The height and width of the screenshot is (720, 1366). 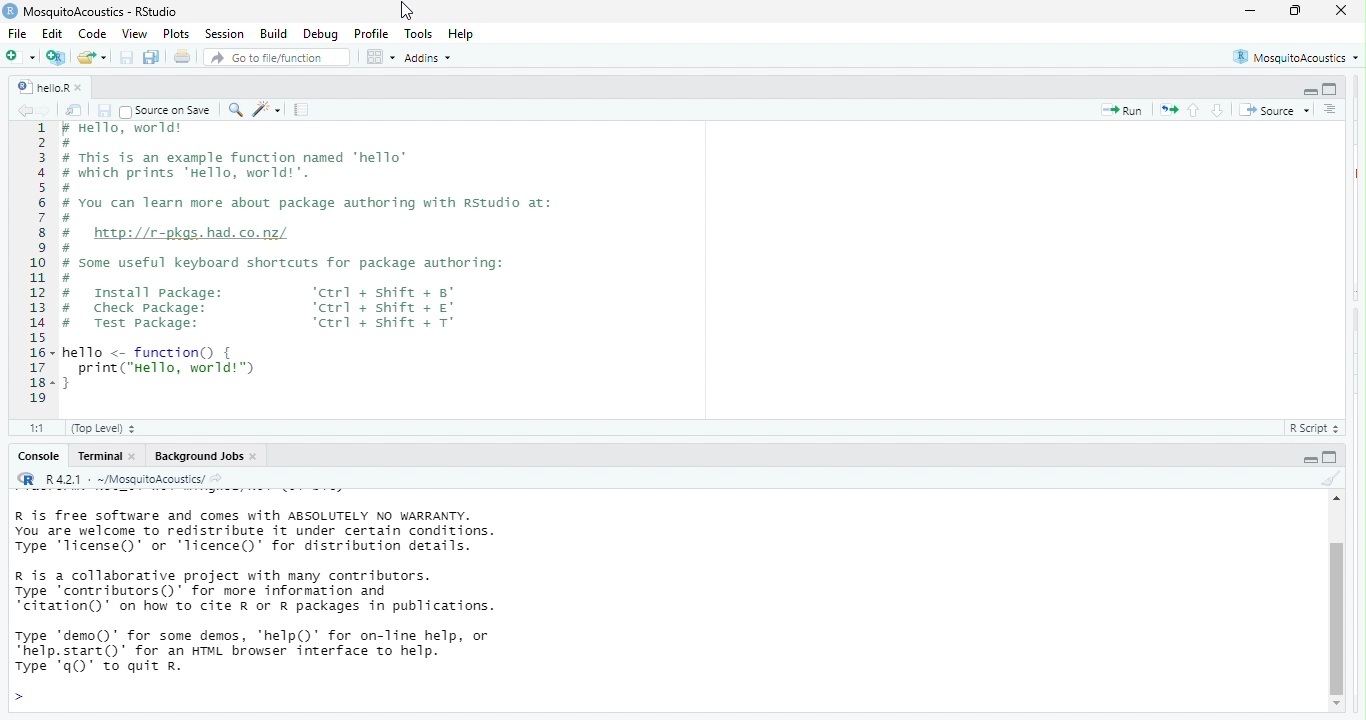 What do you see at coordinates (26, 480) in the screenshot?
I see `r studio logo` at bounding box center [26, 480].